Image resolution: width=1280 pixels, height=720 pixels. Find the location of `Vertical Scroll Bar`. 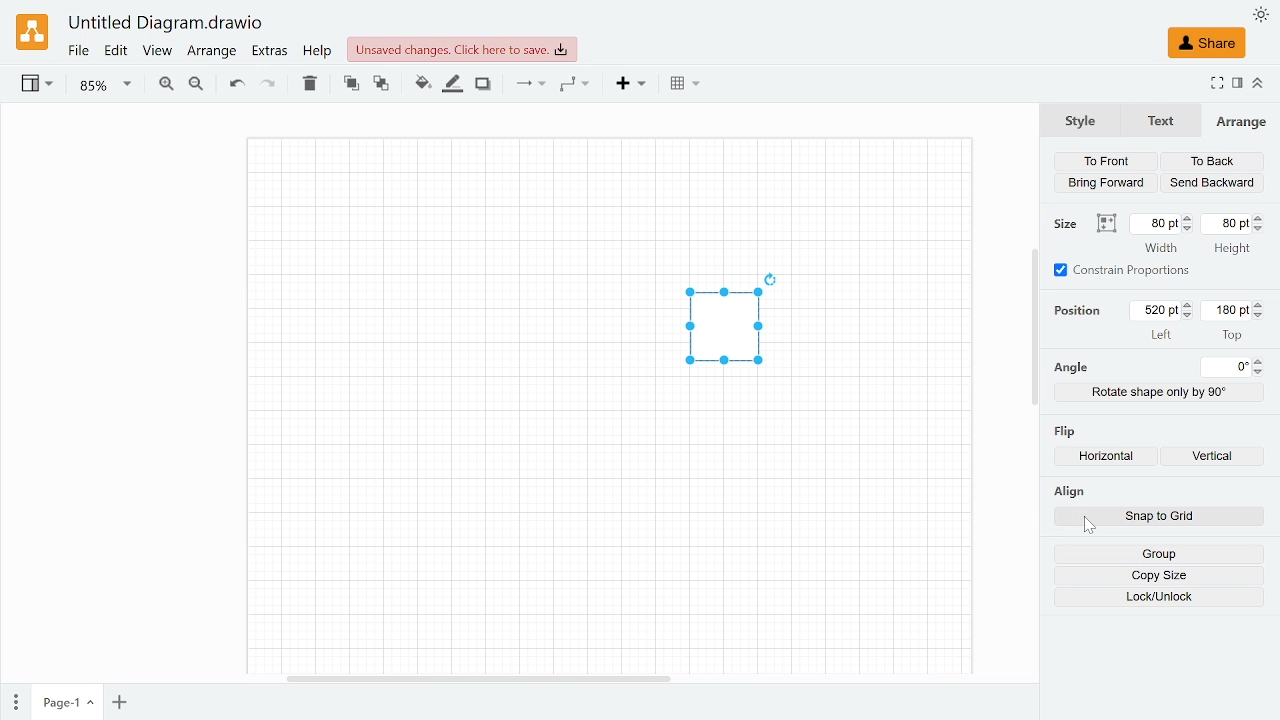

Vertical Scroll Bar is located at coordinates (1025, 329).